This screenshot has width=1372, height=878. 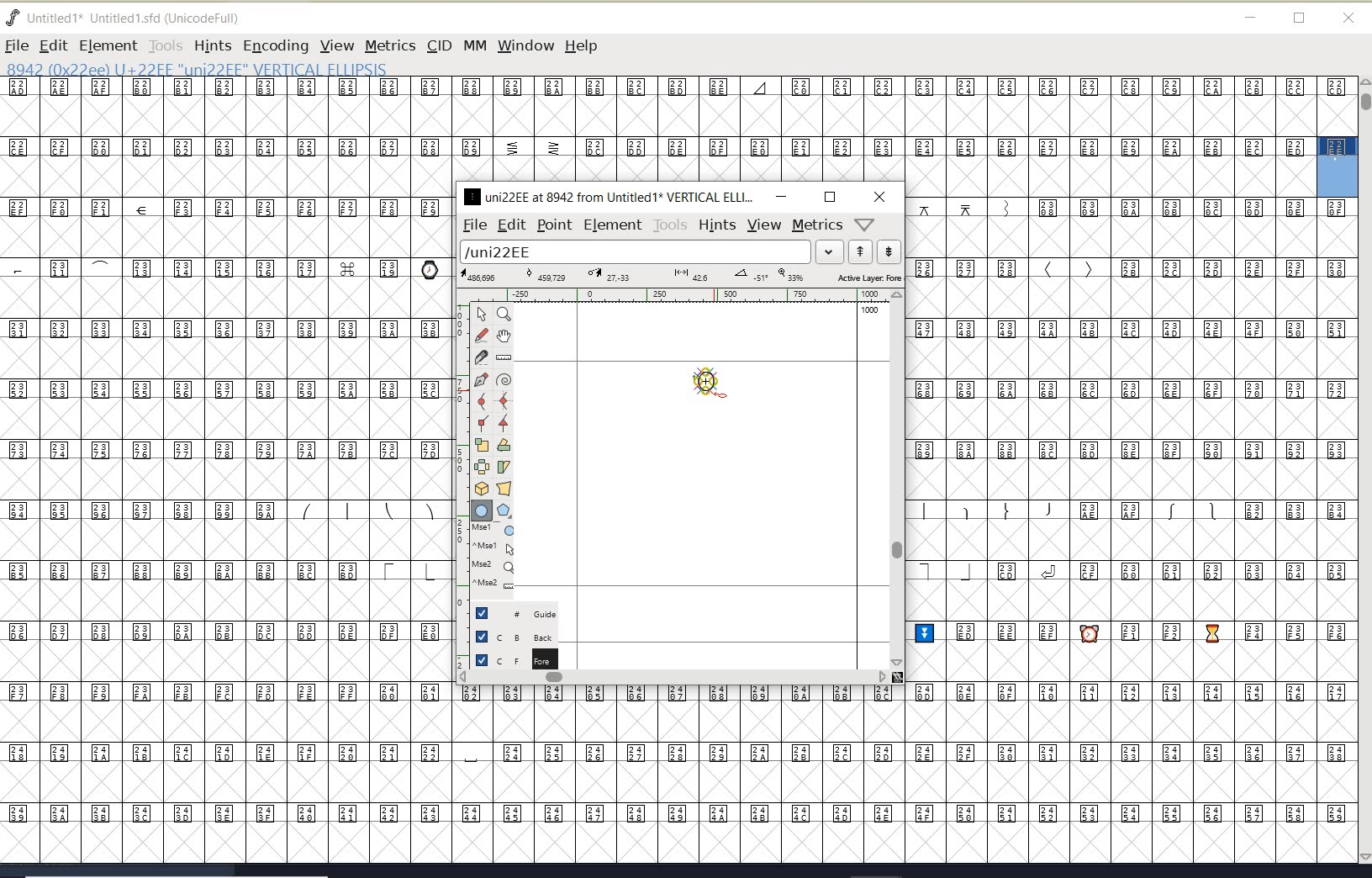 I want to click on FILE, so click(x=16, y=45).